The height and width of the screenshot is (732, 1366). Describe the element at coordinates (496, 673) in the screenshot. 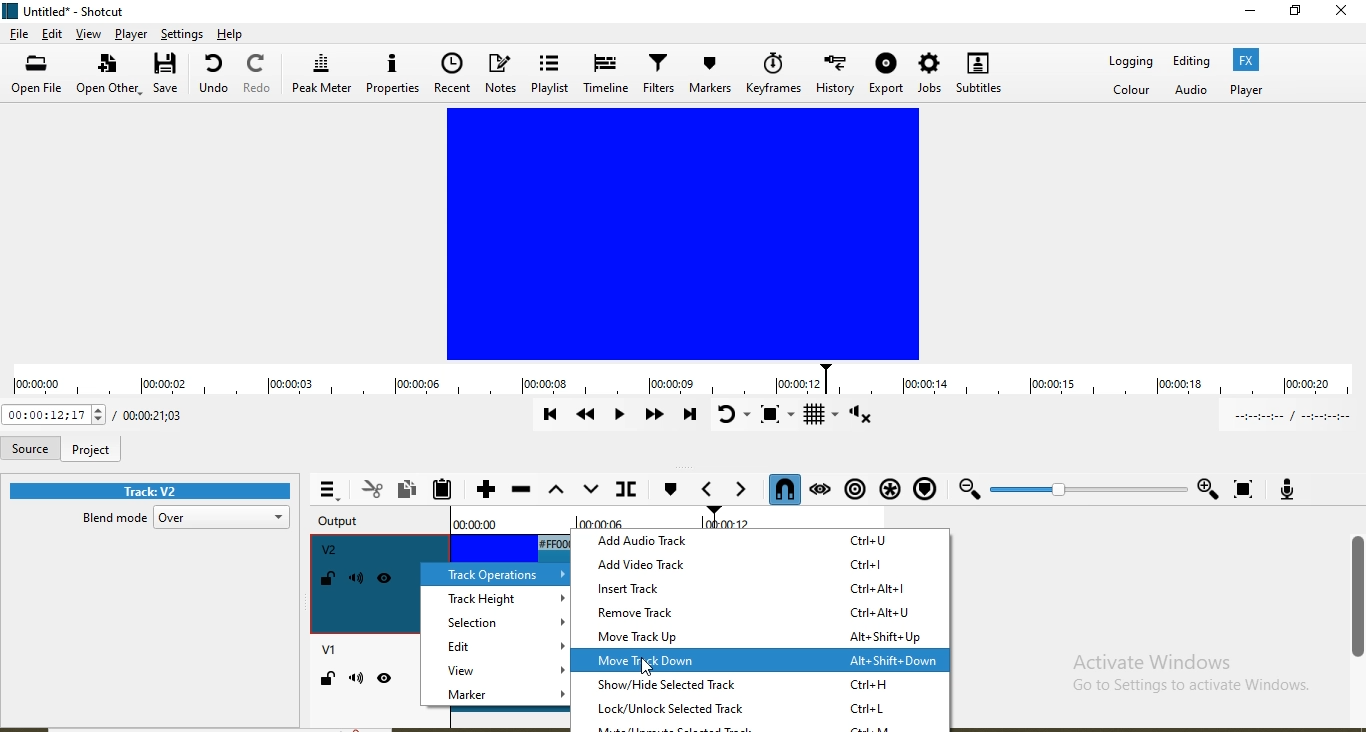

I see `view` at that location.